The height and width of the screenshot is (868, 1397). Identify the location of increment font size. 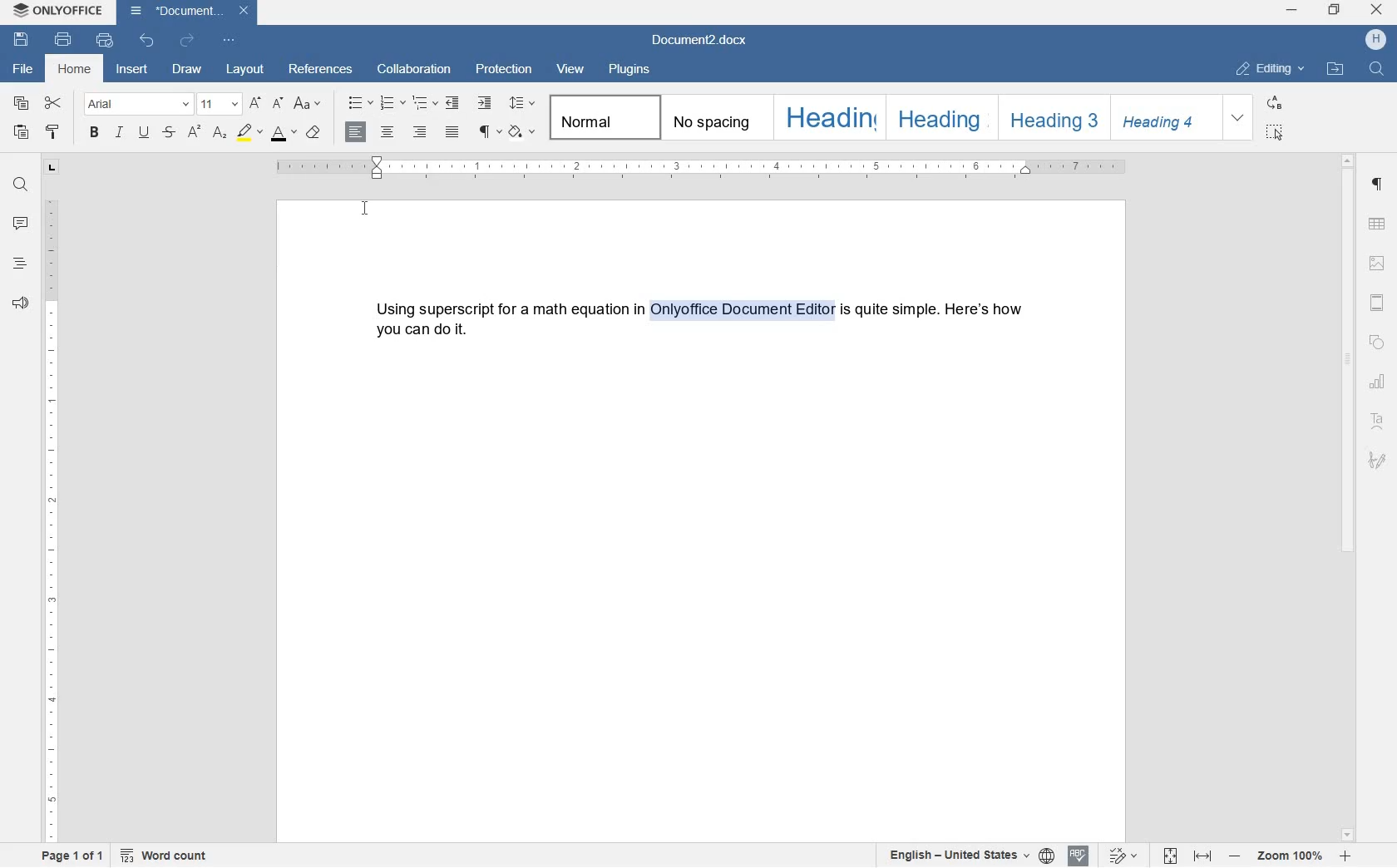
(254, 104).